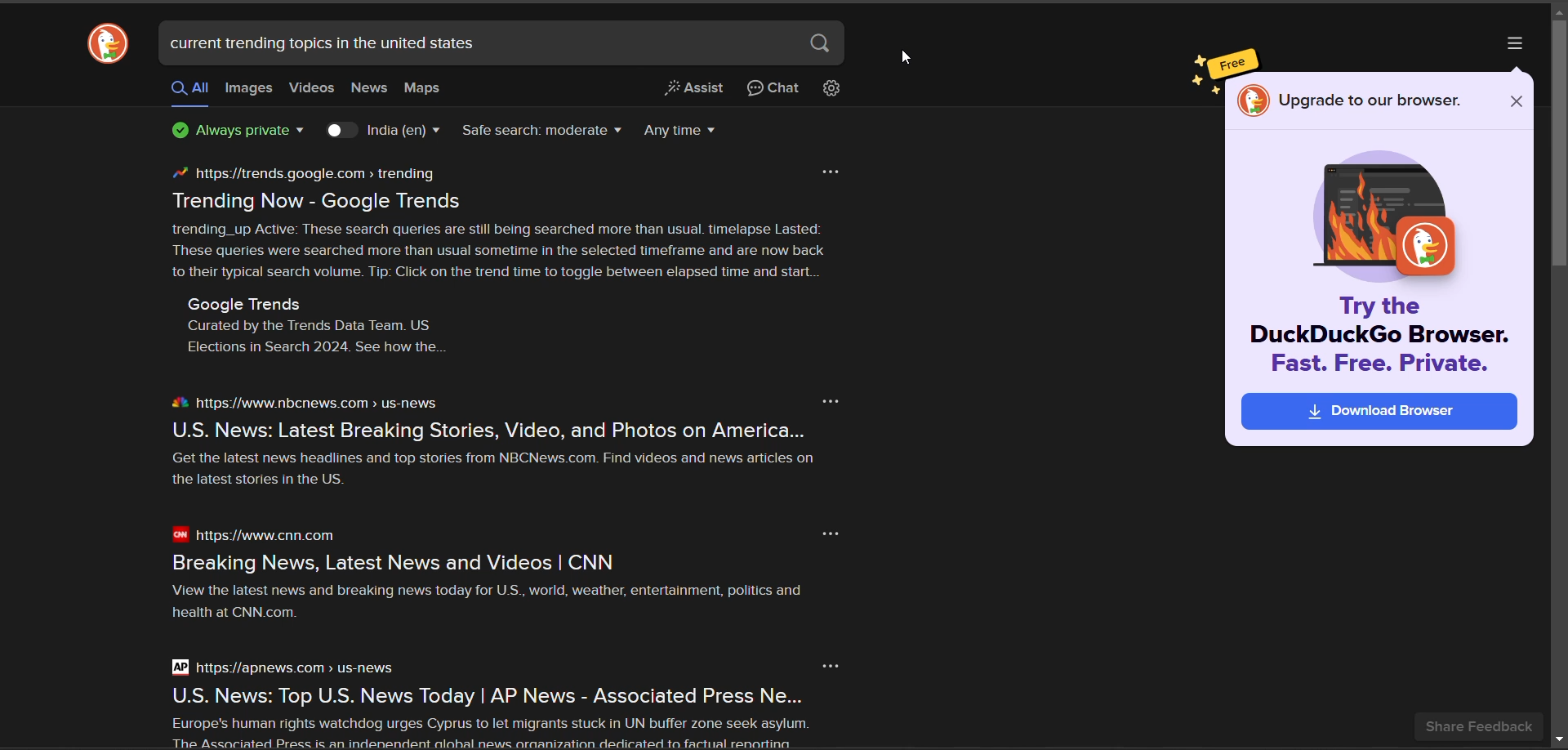 This screenshot has height=750, width=1568. Describe the element at coordinates (492, 471) in the screenshot. I see `Get the latest news headlines and top stories from NBCNews com. Find videos and news articles on the latest stories in the US` at that location.